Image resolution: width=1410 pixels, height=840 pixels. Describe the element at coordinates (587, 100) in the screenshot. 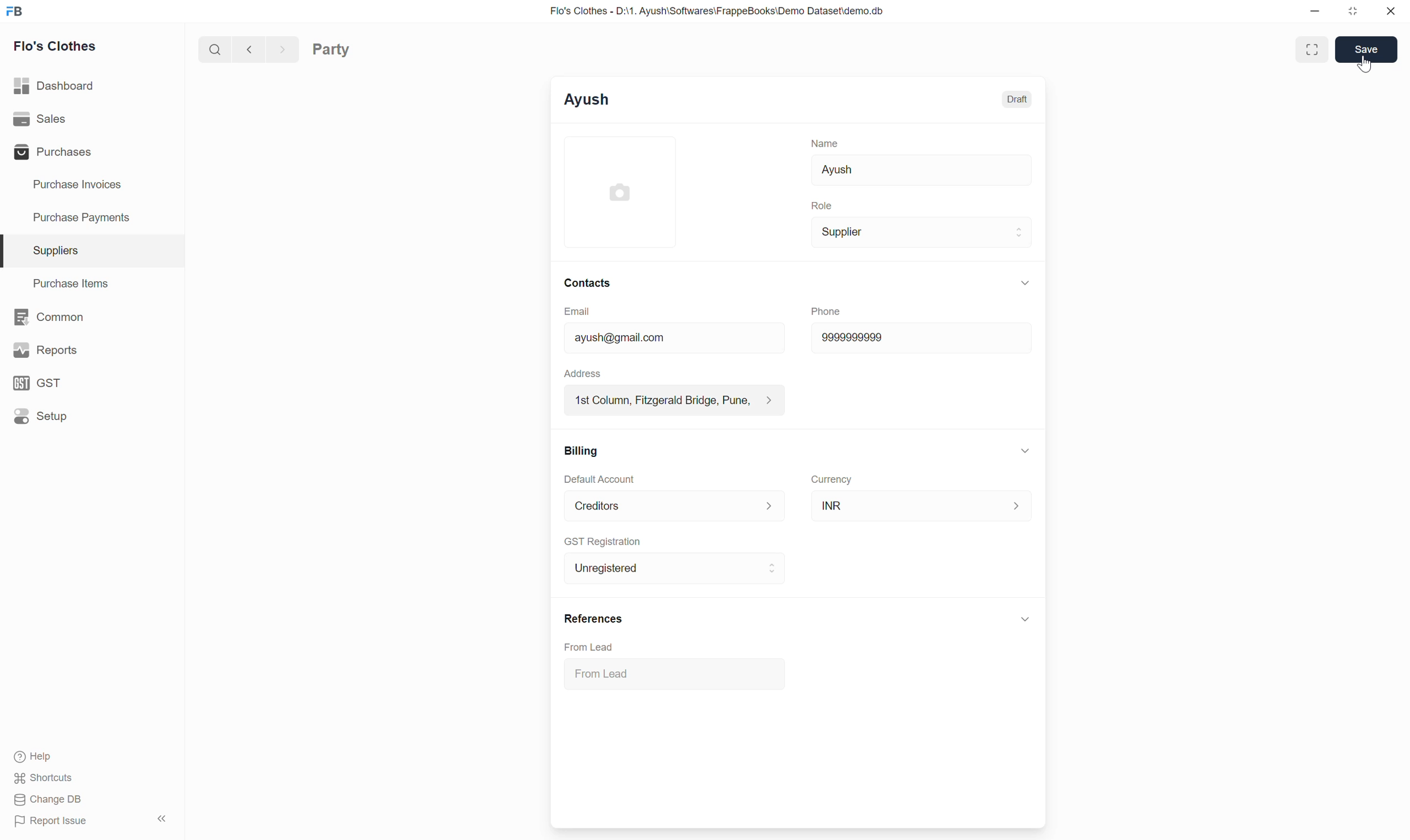

I see `Ayush` at that location.